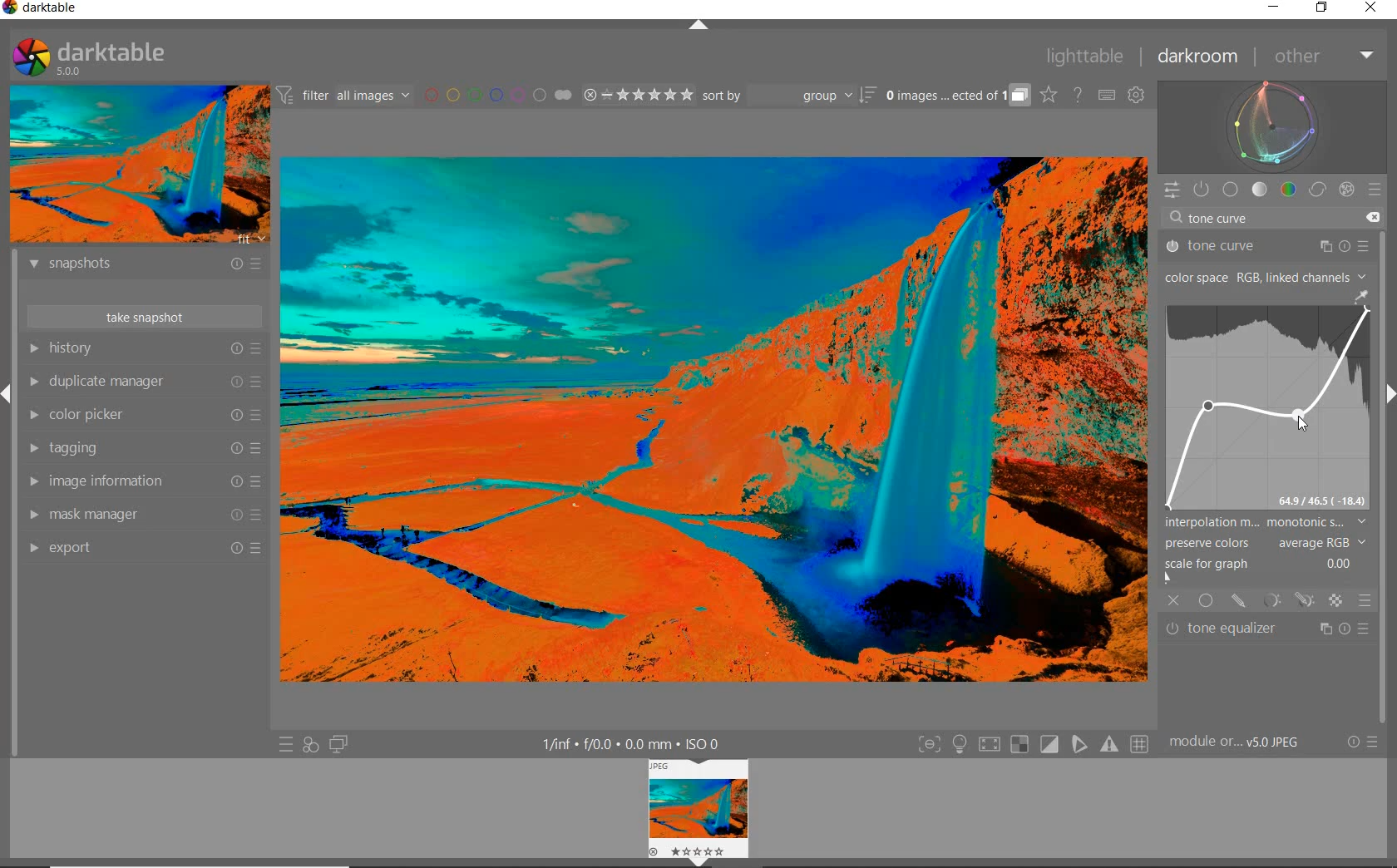 Image resolution: width=1397 pixels, height=868 pixels. Describe the element at coordinates (715, 418) in the screenshot. I see `video` at that location.